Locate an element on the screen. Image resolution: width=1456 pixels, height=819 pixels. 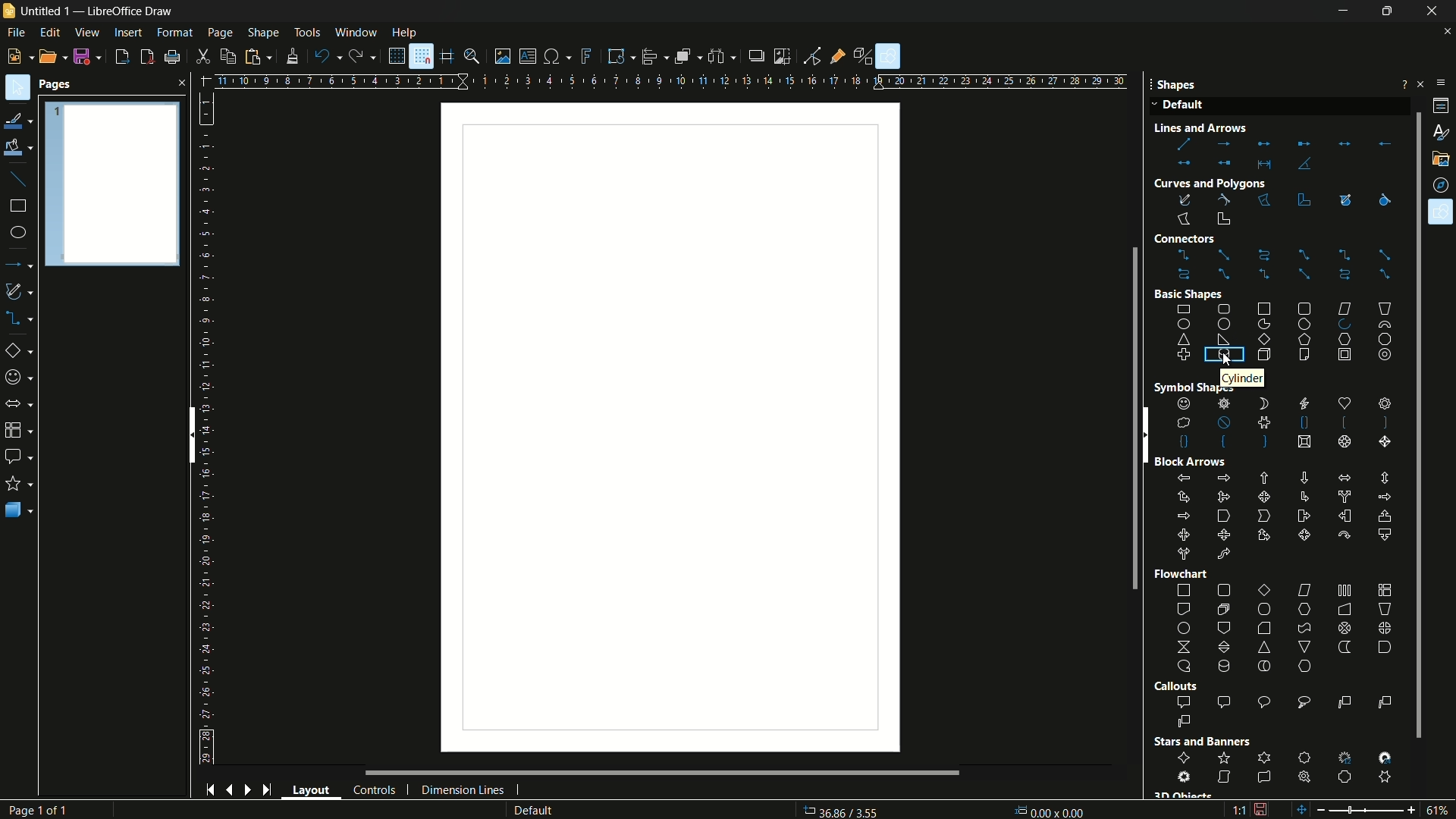
cut is located at coordinates (206, 56).